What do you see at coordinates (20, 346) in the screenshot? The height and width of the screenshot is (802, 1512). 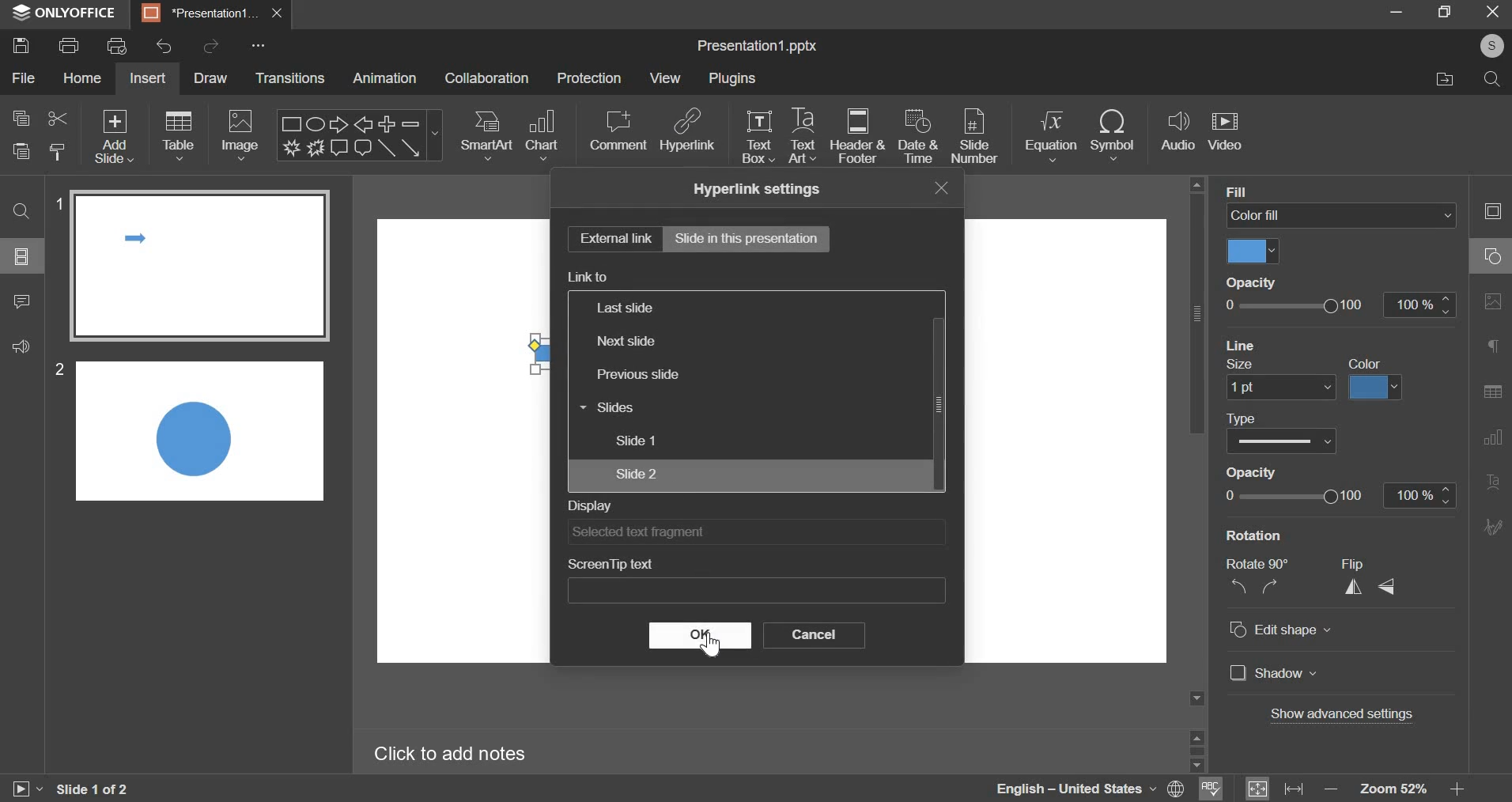 I see `feedback` at bounding box center [20, 346].